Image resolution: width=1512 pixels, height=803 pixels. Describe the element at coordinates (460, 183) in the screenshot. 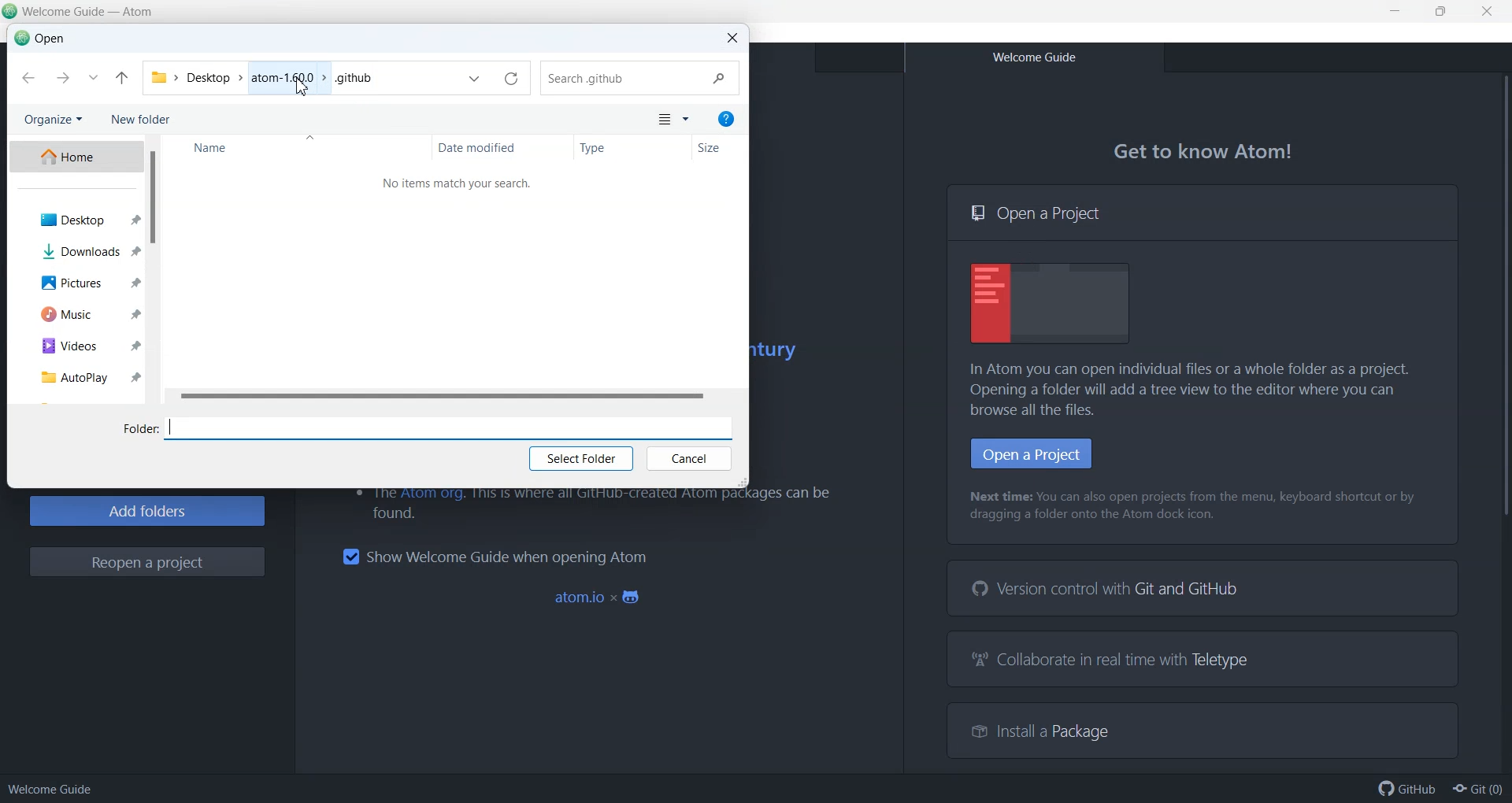

I see `No items match vour search.` at that location.